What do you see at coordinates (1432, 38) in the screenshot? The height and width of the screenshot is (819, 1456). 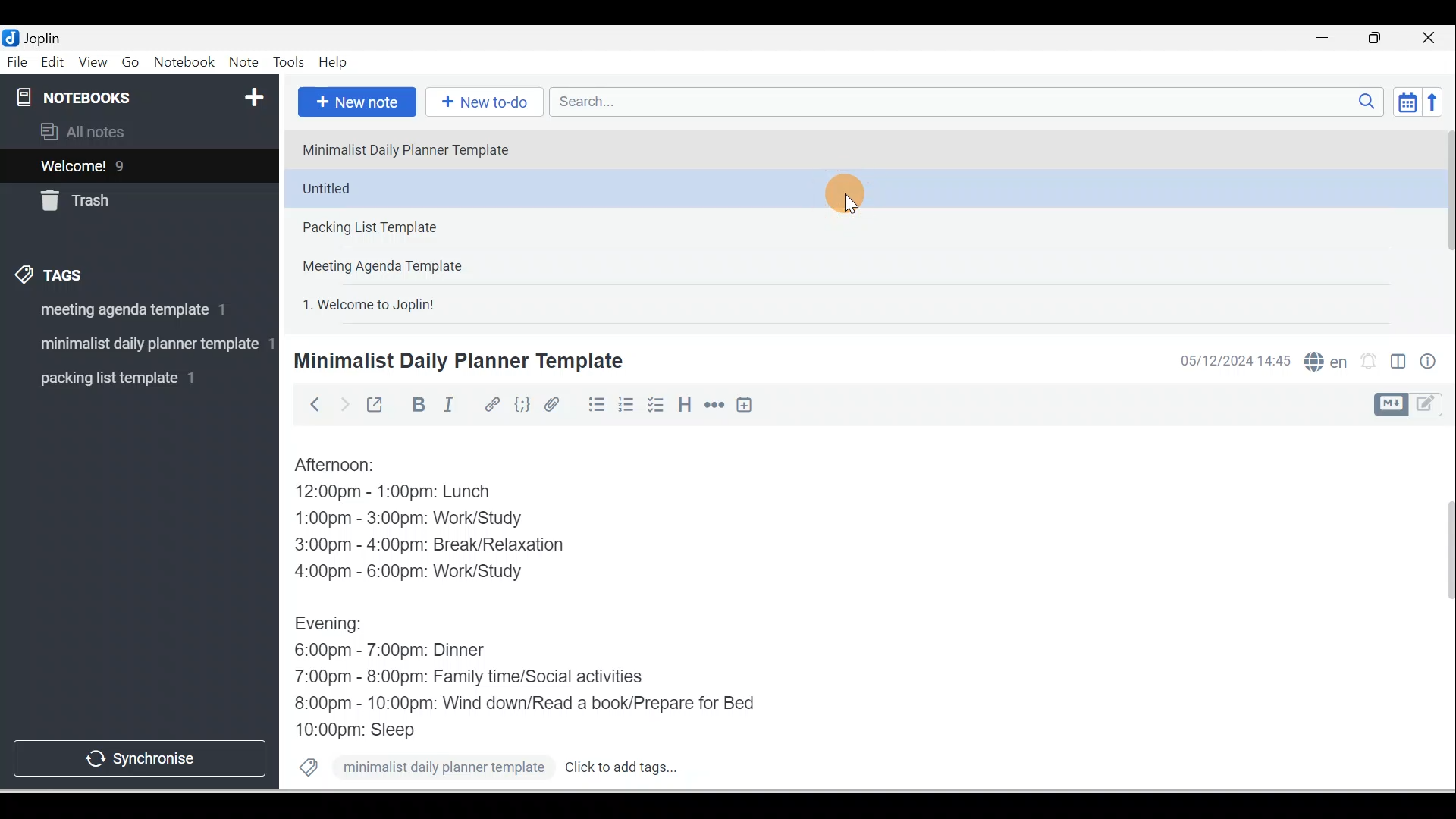 I see `Close` at bounding box center [1432, 38].